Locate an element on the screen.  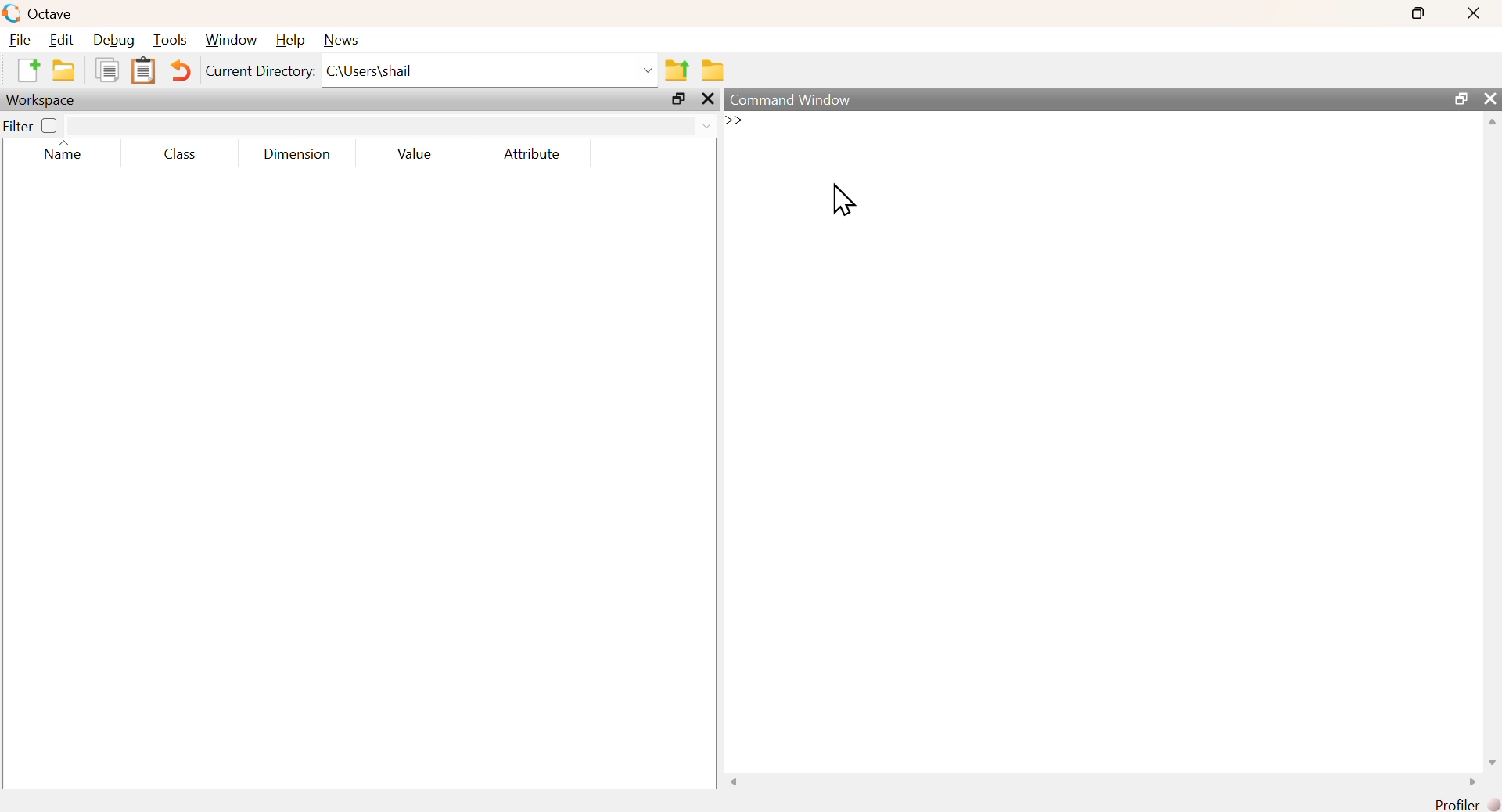
close is located at coordinates (1472, 14).